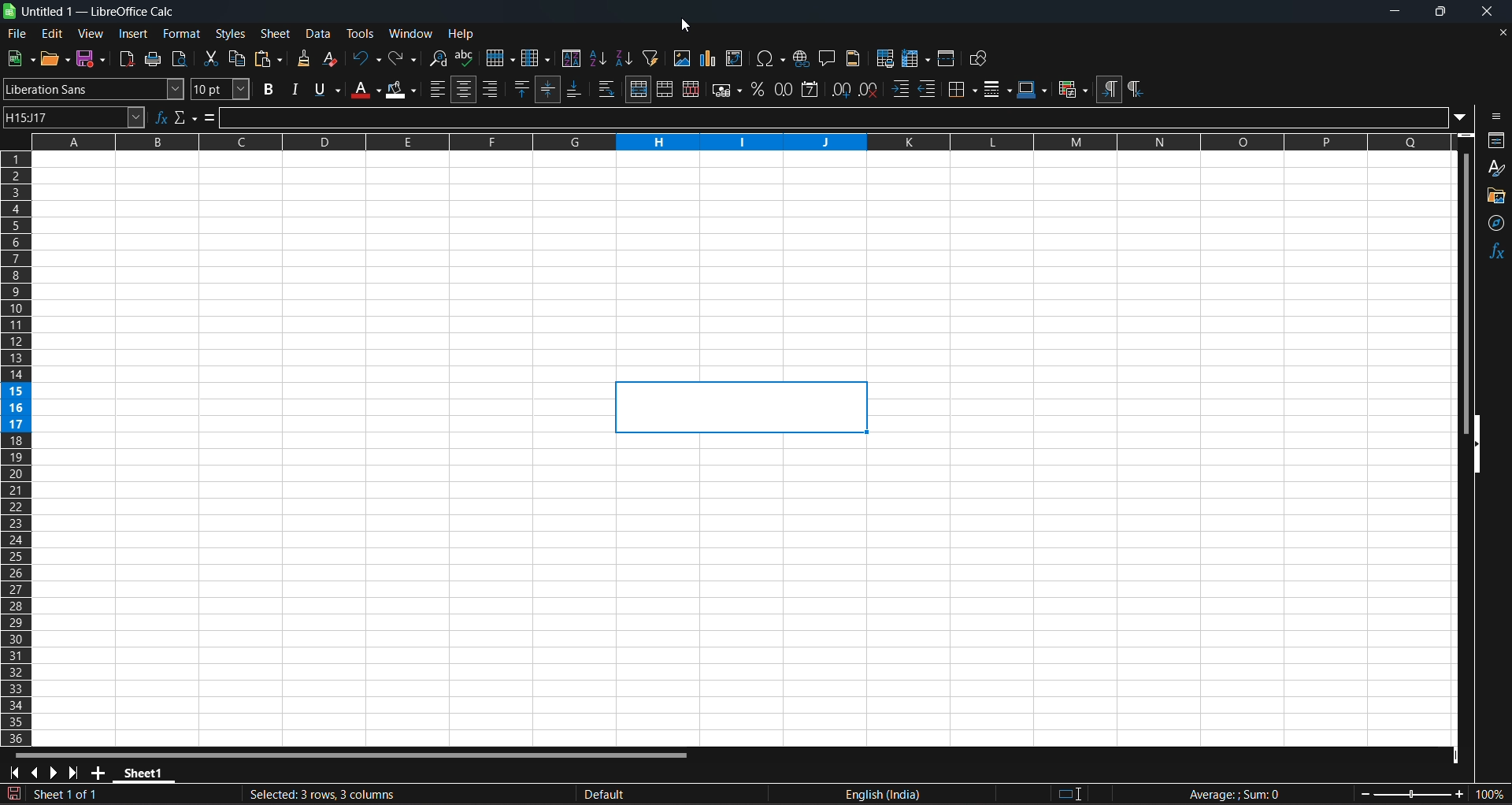  What do you see at coordinates (436, 57) in the screenshot?
I see `find and replace` at bounding box center [436, 57].